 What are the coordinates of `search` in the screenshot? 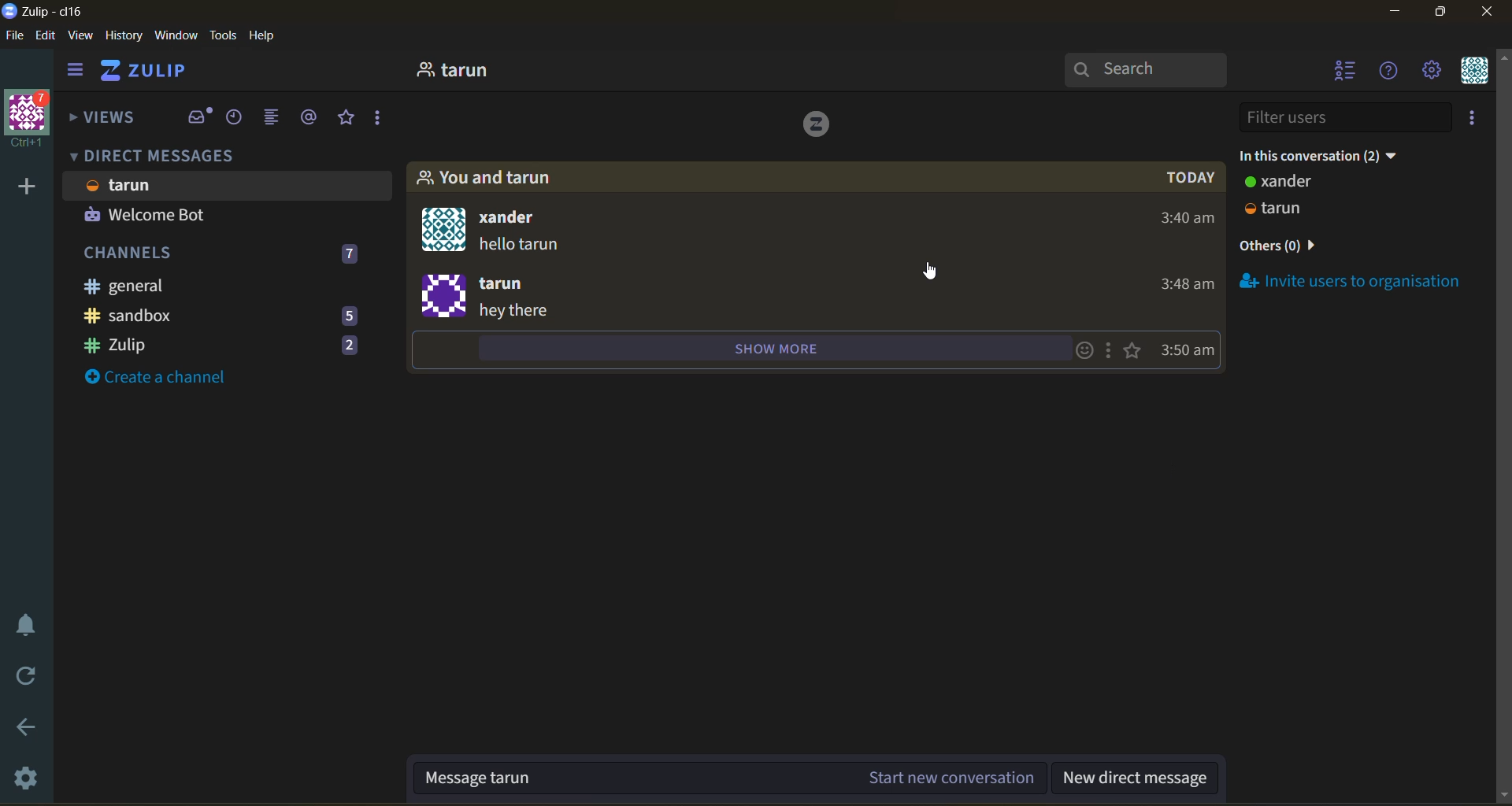 It's located at (1147, 70).